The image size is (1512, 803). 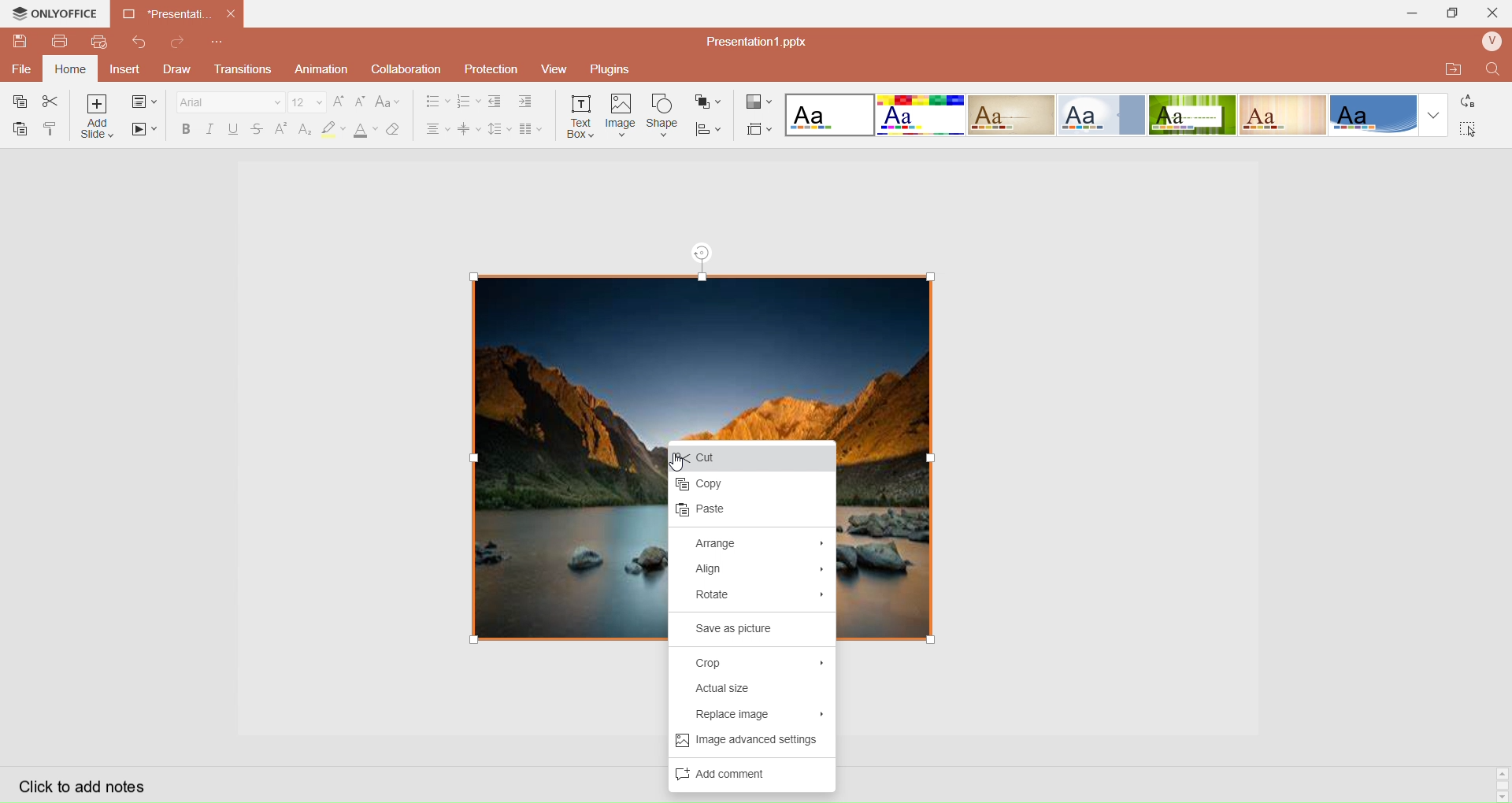 What do you see at coordinates (1495, 13) in the screenshot?
I see `Close` at bounding box center [1495, 13].